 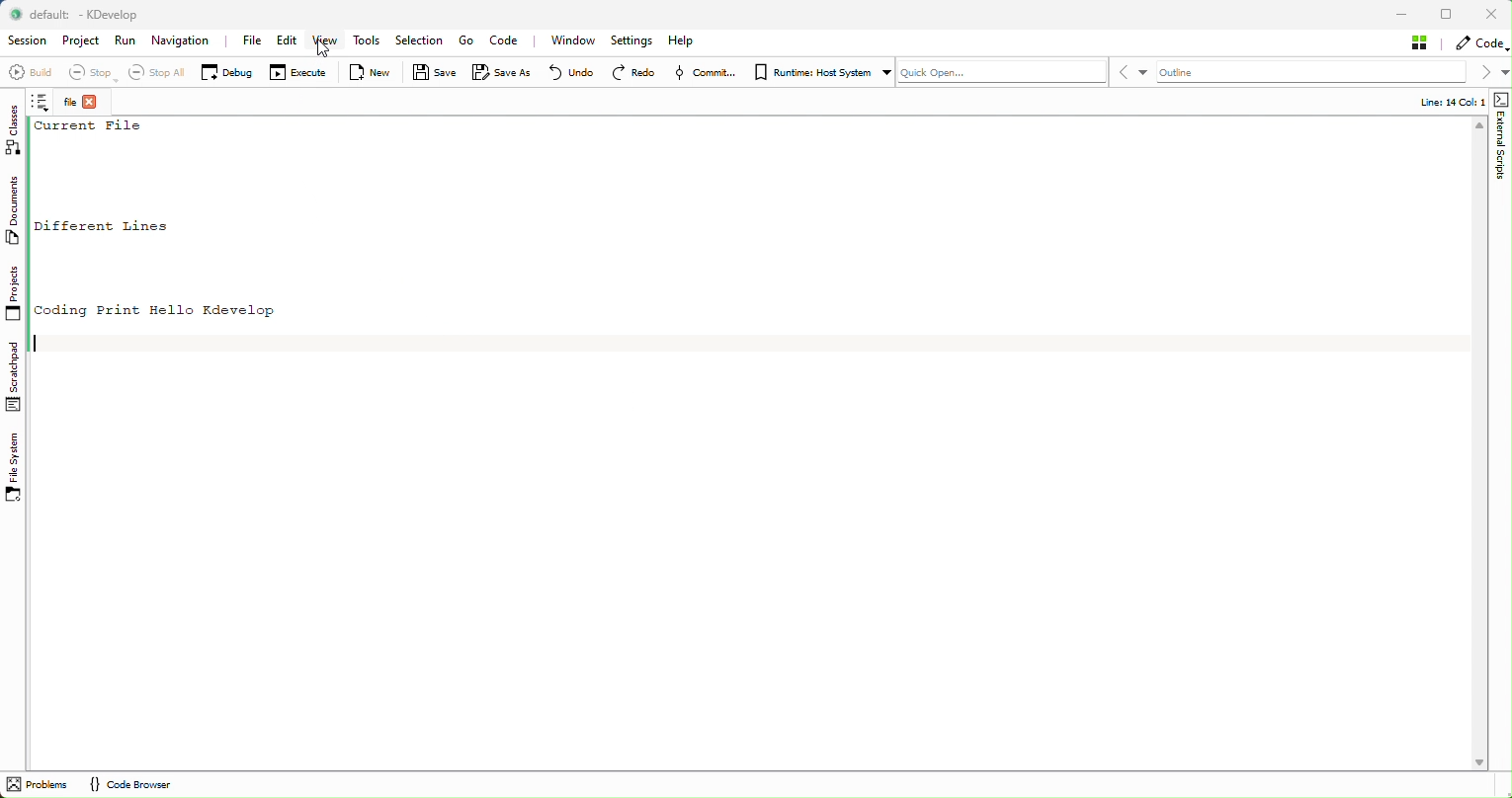 What do you see at coordinates (26, 41) in the screenshot?
I see `Session` at bounding box center [26, 41].